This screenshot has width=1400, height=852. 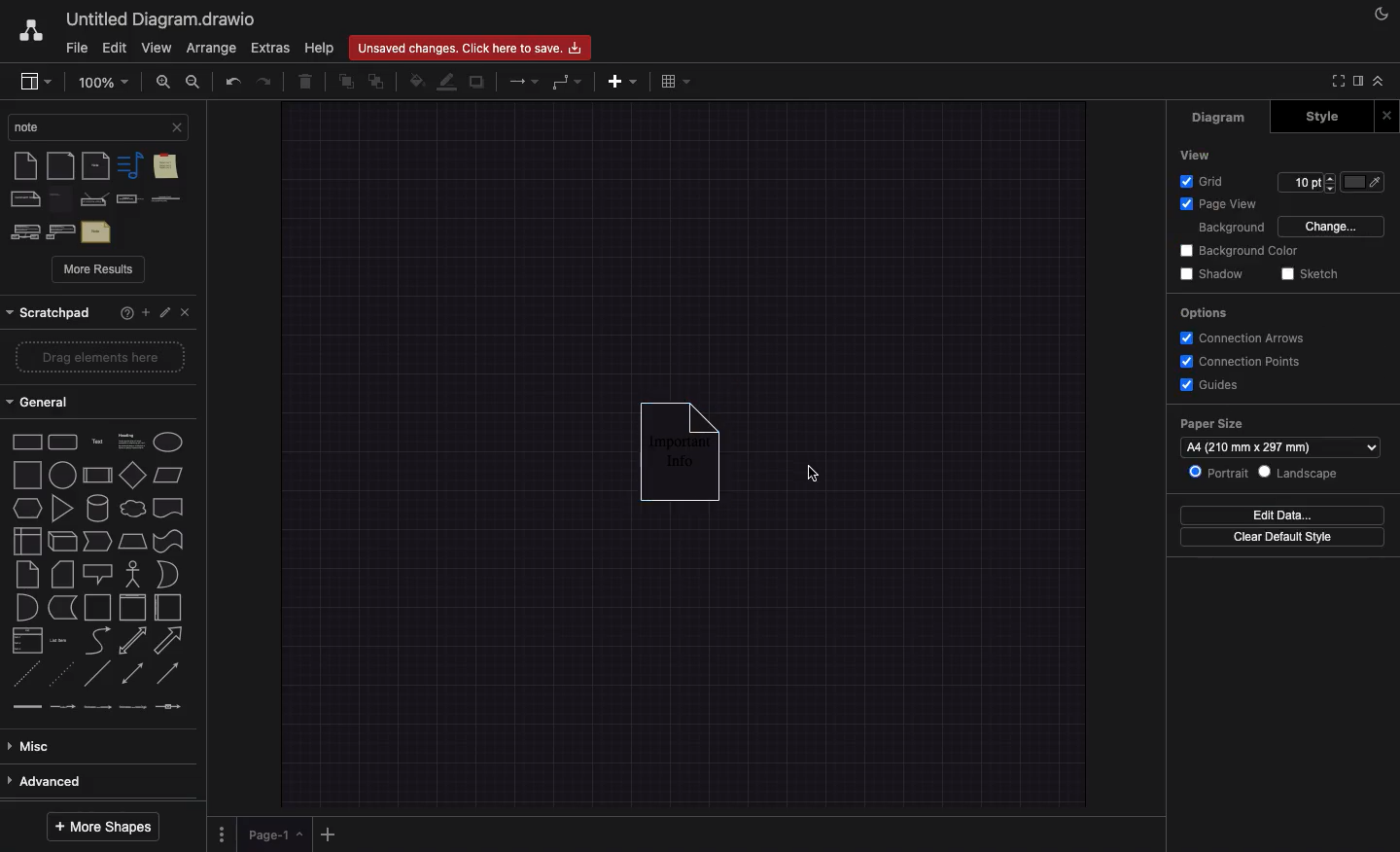 What do you see at coordinates (126, 314) in the screenshot?
I see `Help` at bounding box center [126, 314].